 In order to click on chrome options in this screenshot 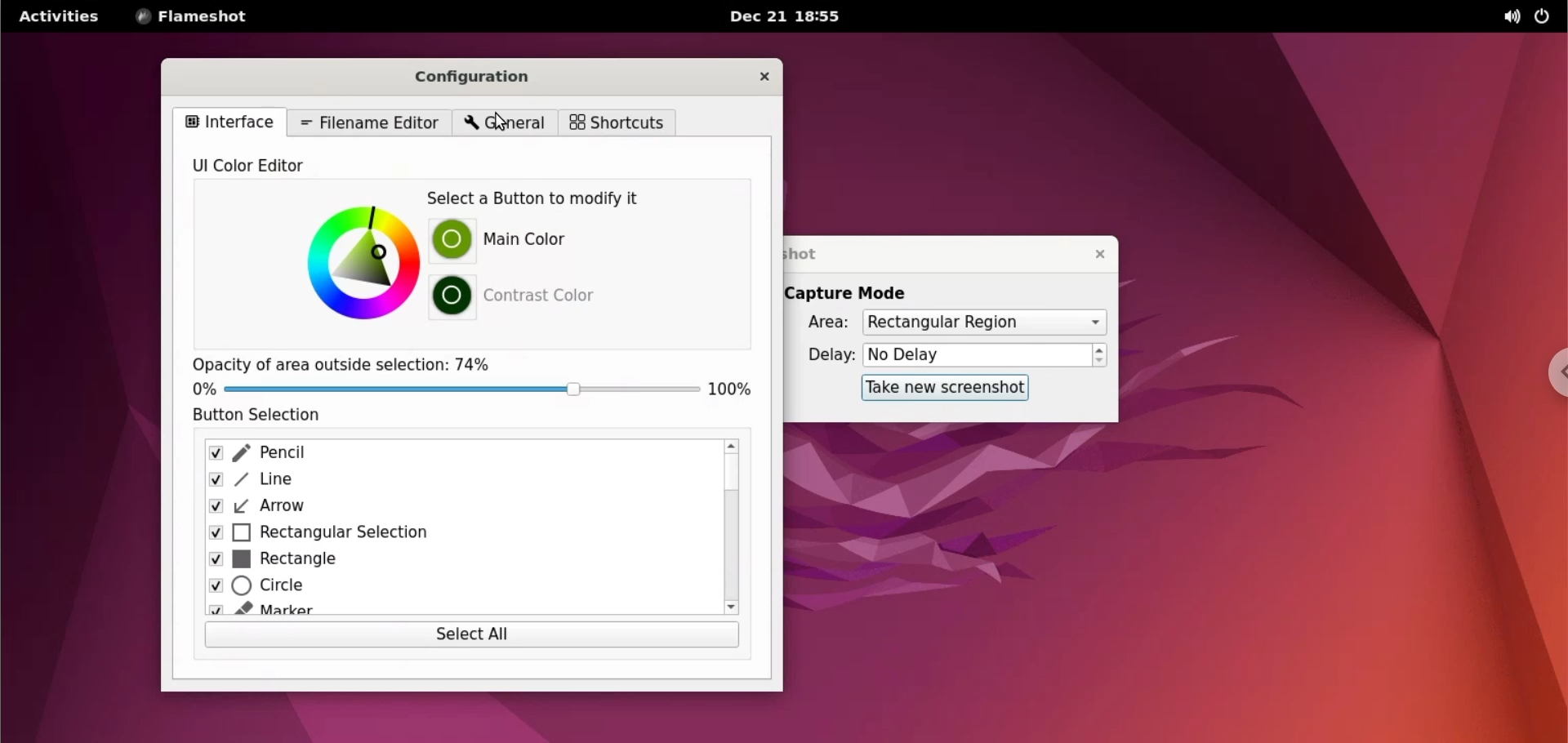, I will do `click(1548, 377)`.